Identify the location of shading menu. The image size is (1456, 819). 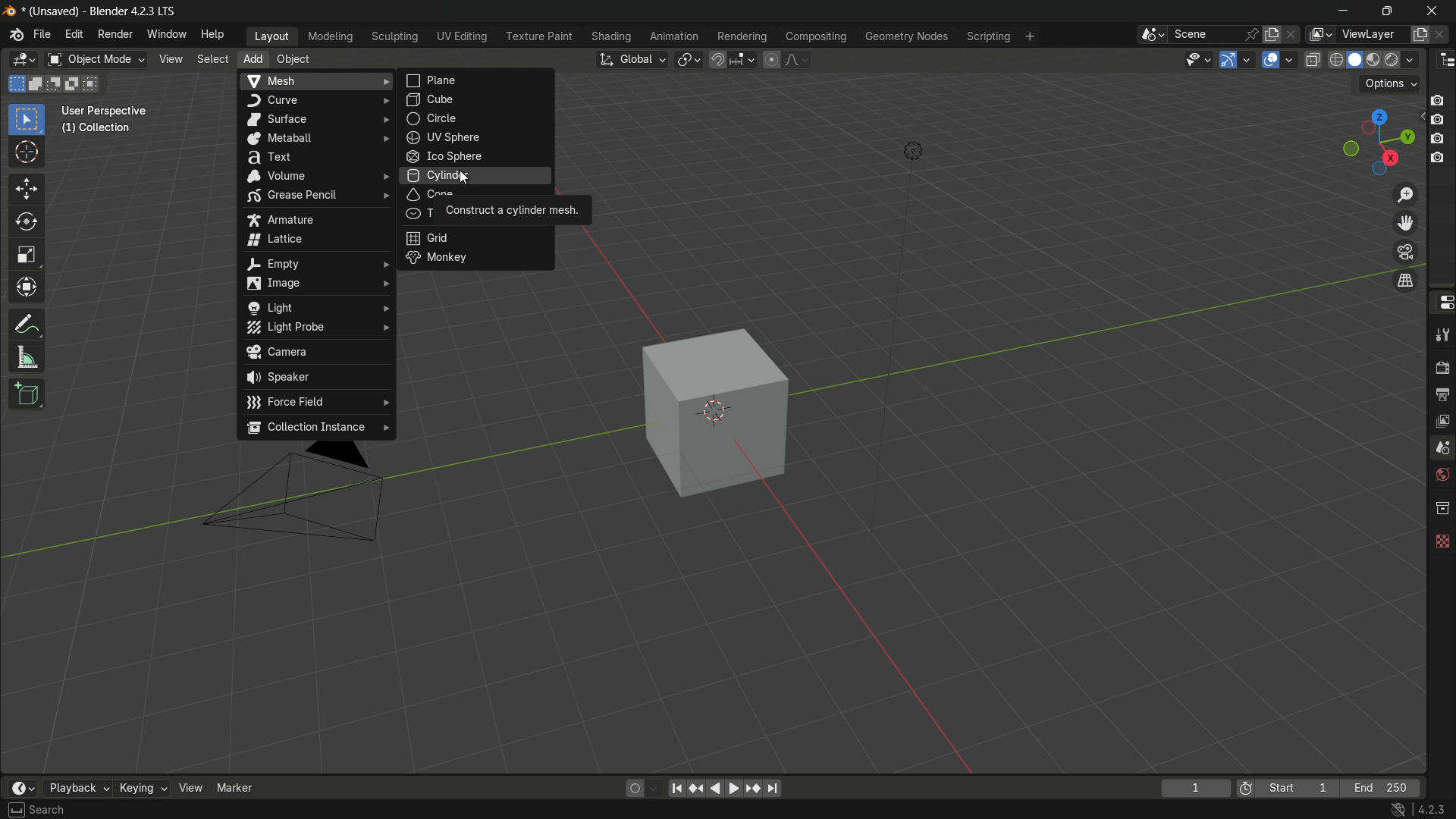
(613, 37).